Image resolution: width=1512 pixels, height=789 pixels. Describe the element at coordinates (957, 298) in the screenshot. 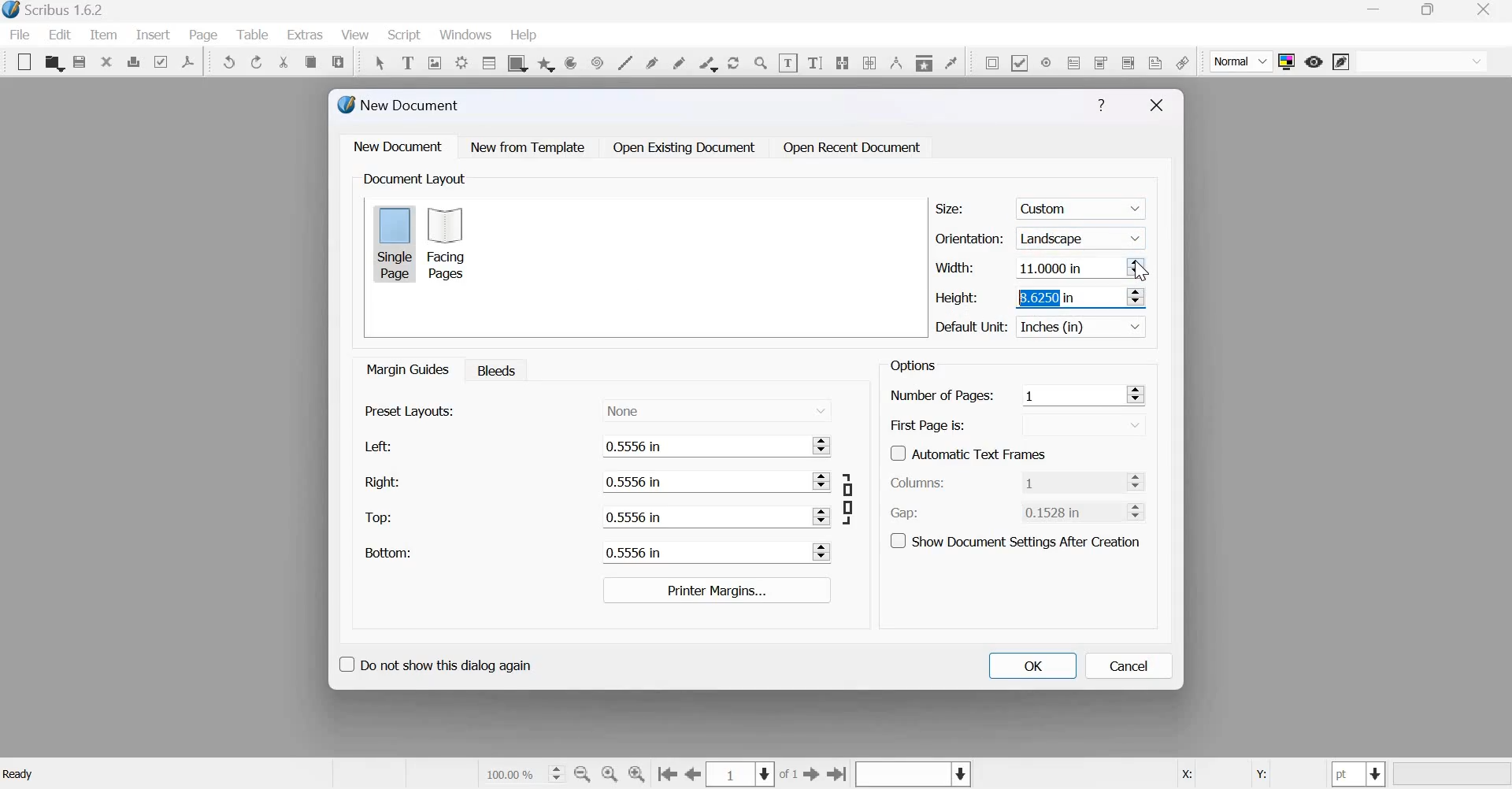

I see `Height:` at that location.